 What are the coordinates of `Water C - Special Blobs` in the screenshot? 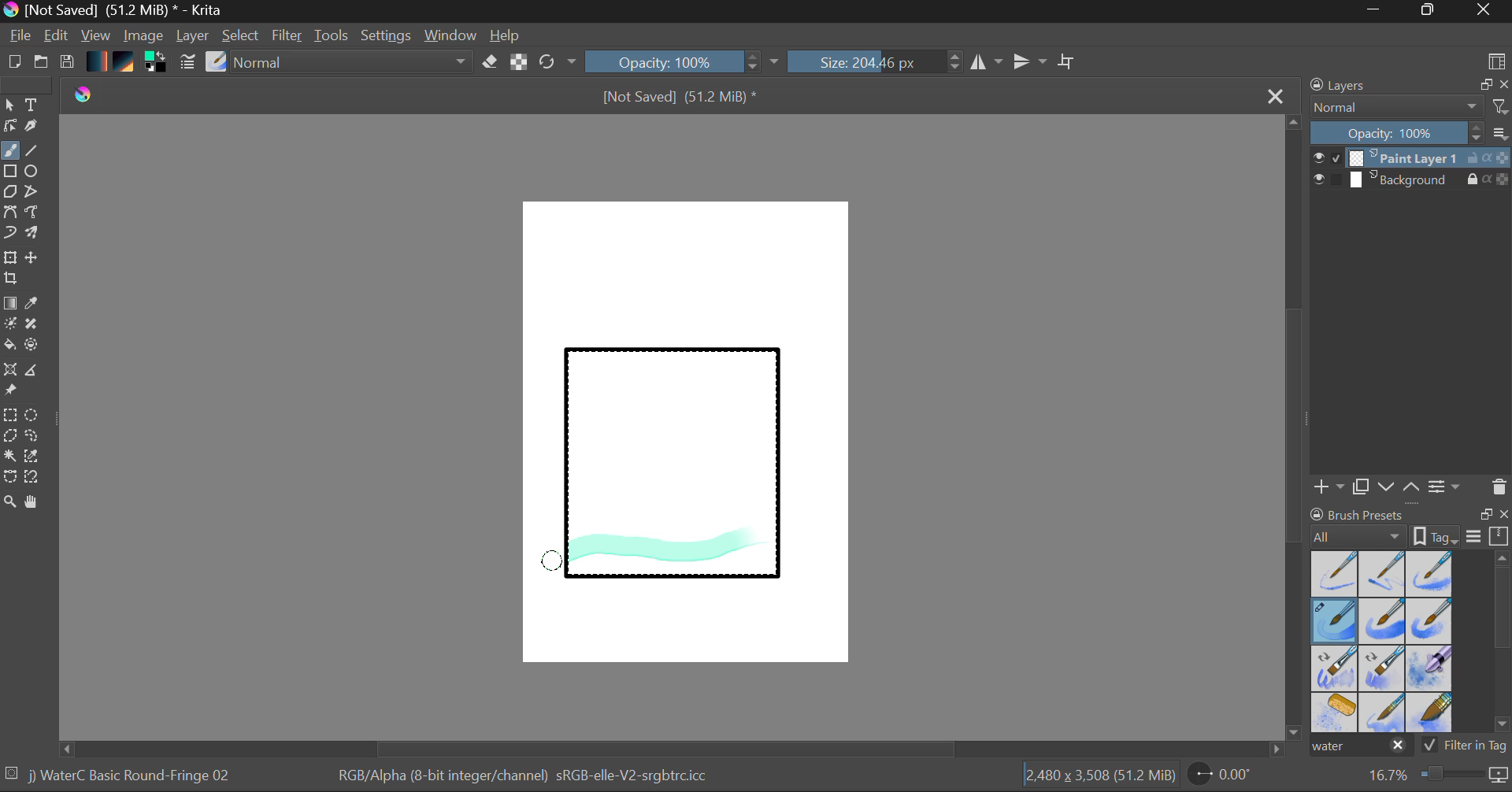 It's located at (1430, 670).